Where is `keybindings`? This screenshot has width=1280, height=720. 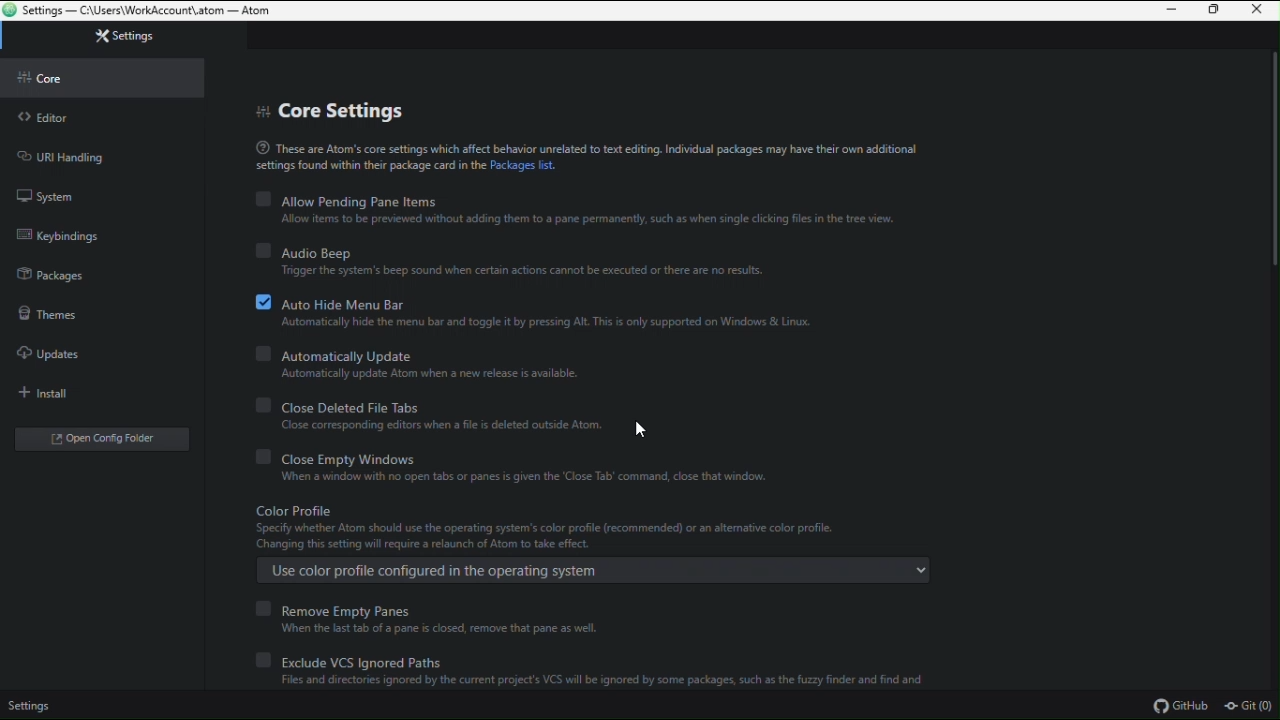
keybindings is located at coordinates (106, 233).